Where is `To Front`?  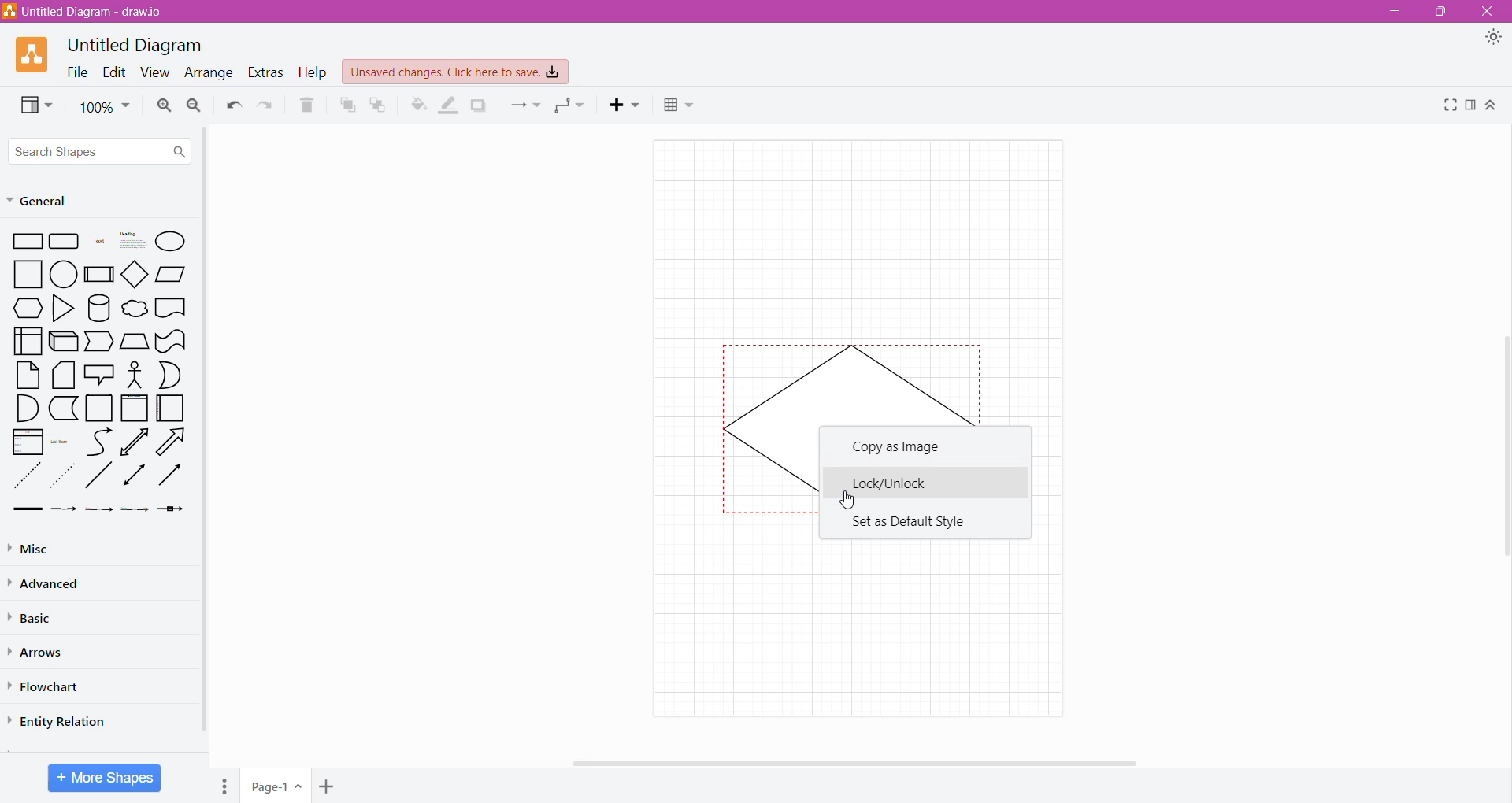 To Front is located at coordinates (346, 105).